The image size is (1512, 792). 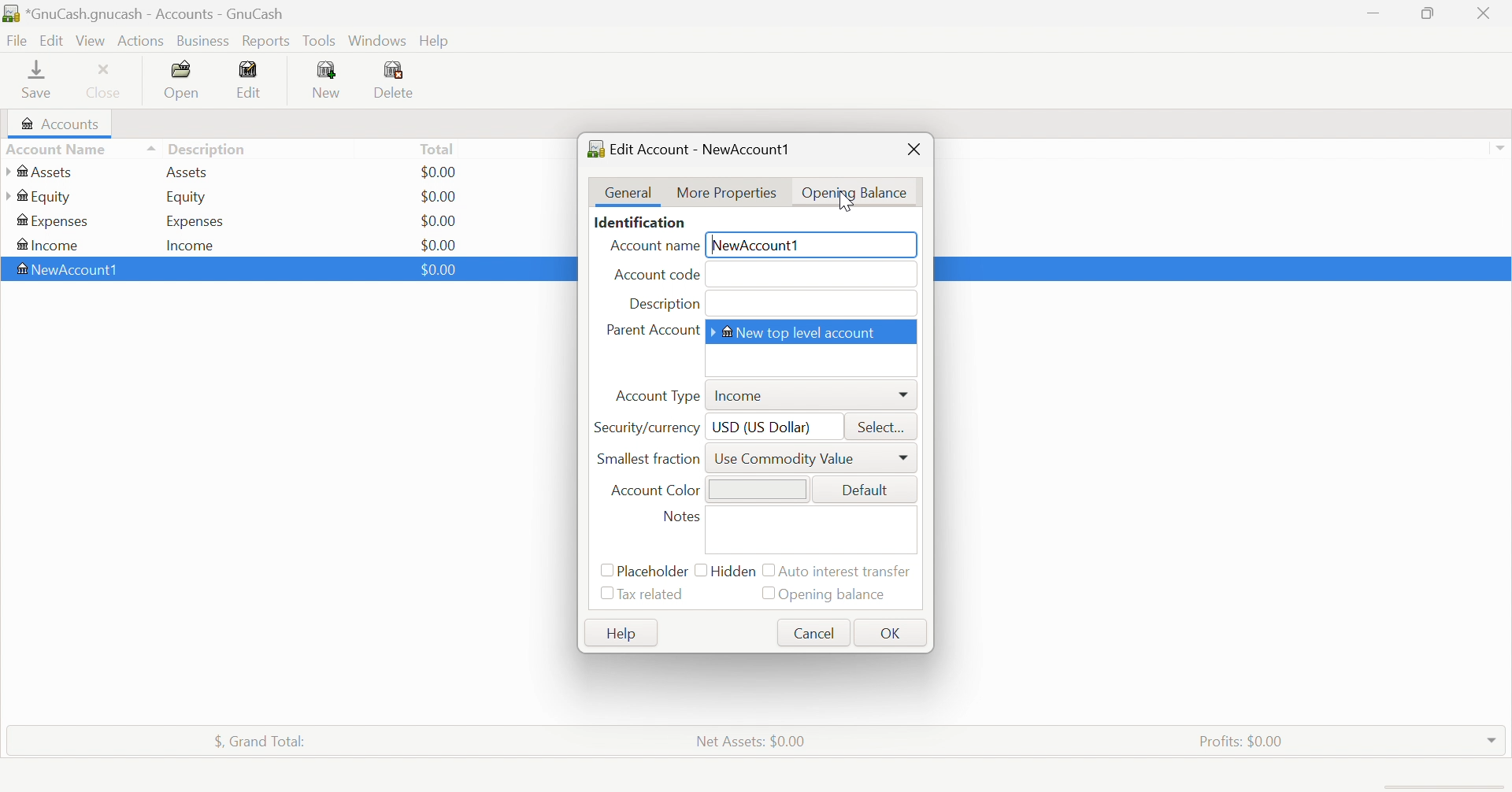 What do you see at coordinates (902, 458) in the screenshot?
I see `More` at bounding box center [902, 458].